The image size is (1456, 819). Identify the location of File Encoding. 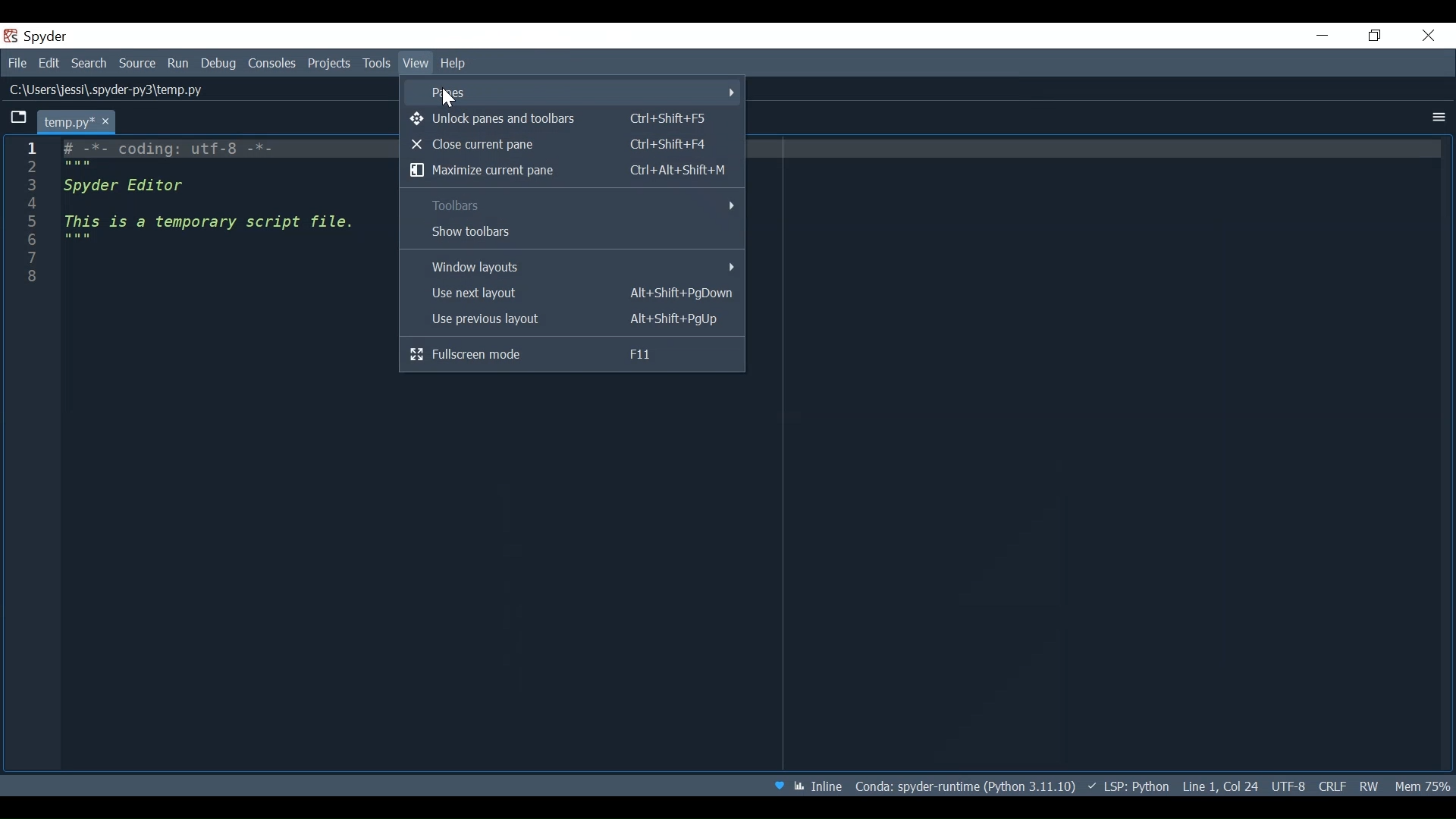
(1287, 786).